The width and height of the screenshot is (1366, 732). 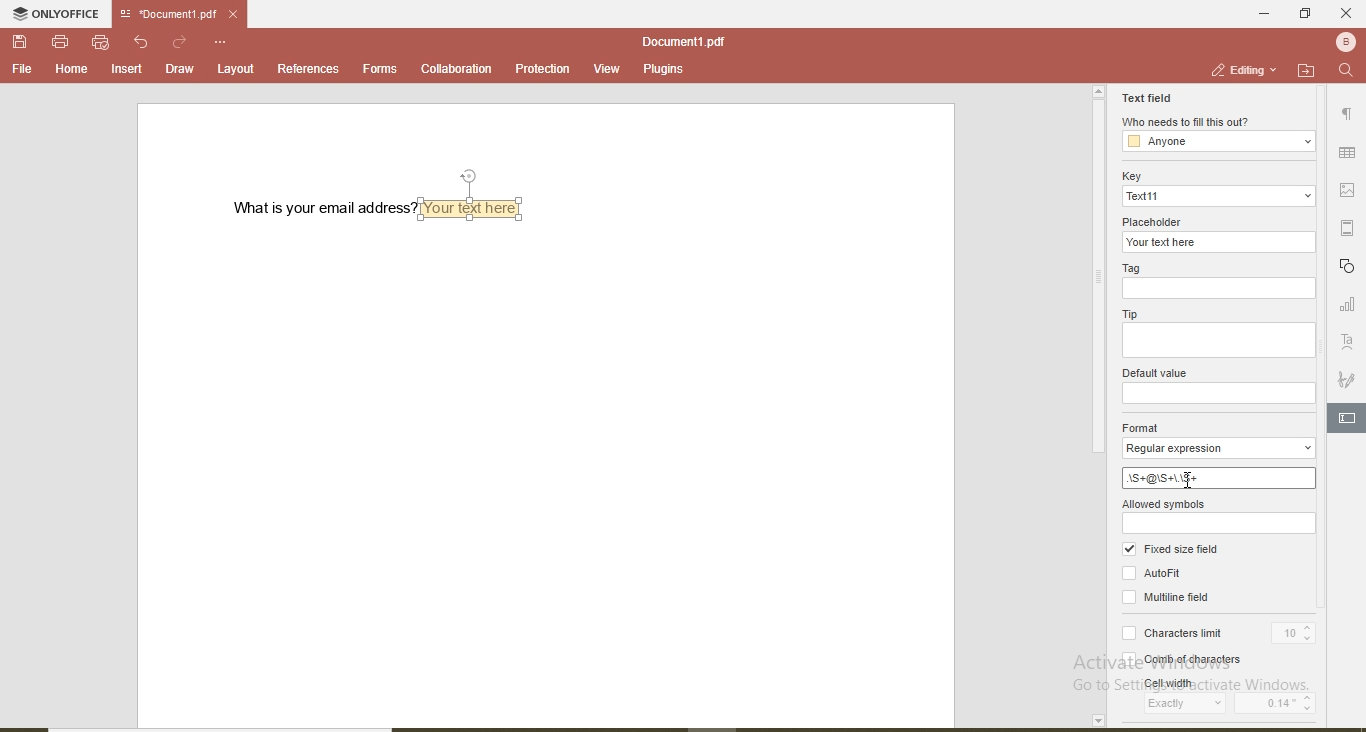 I want to click on allowed symbols, so click(x=1165, y=502).